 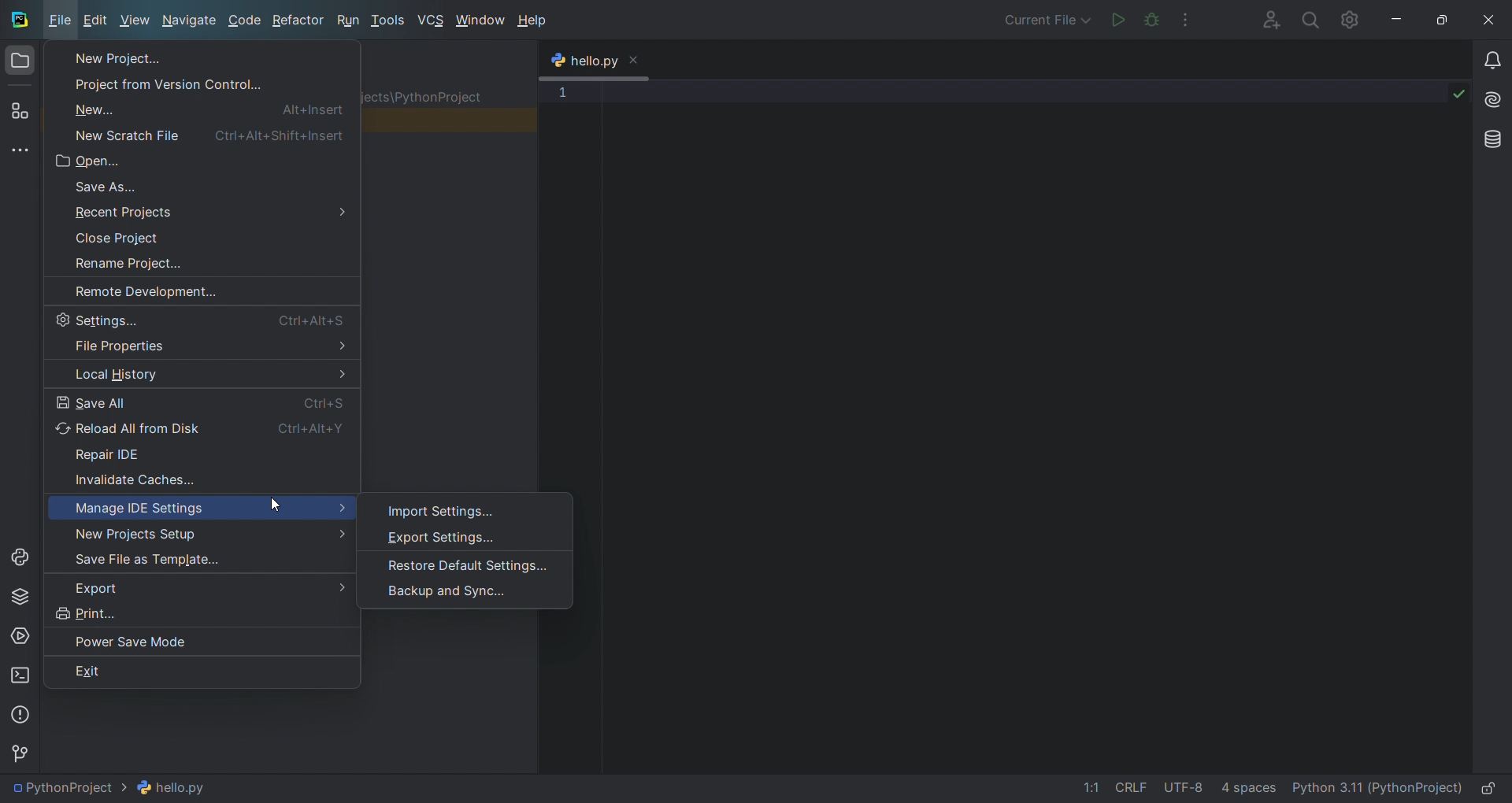 I want to click on run, so click(x=1116, y=18).